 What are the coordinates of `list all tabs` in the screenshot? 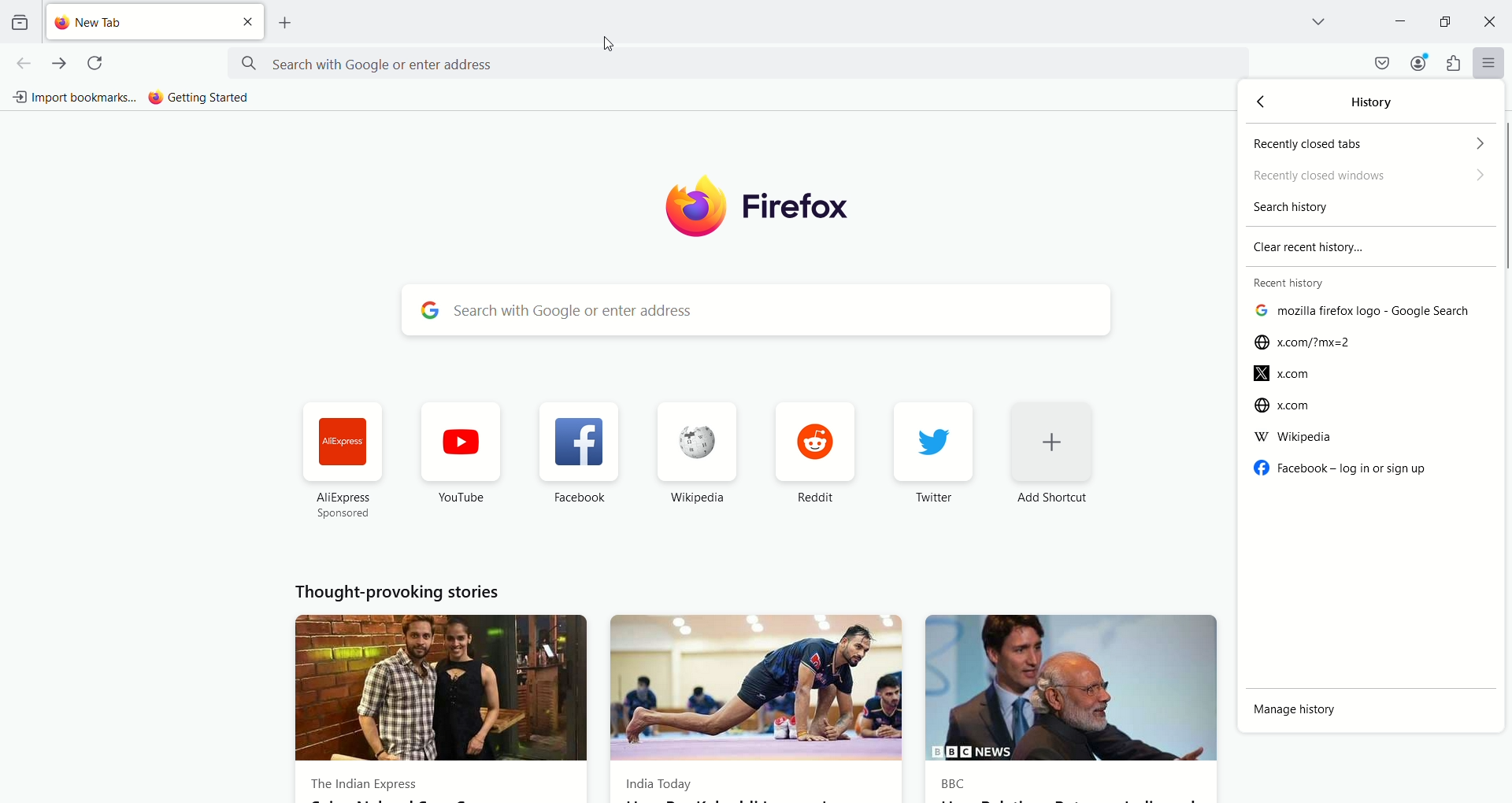 It's located at (1321, 23).